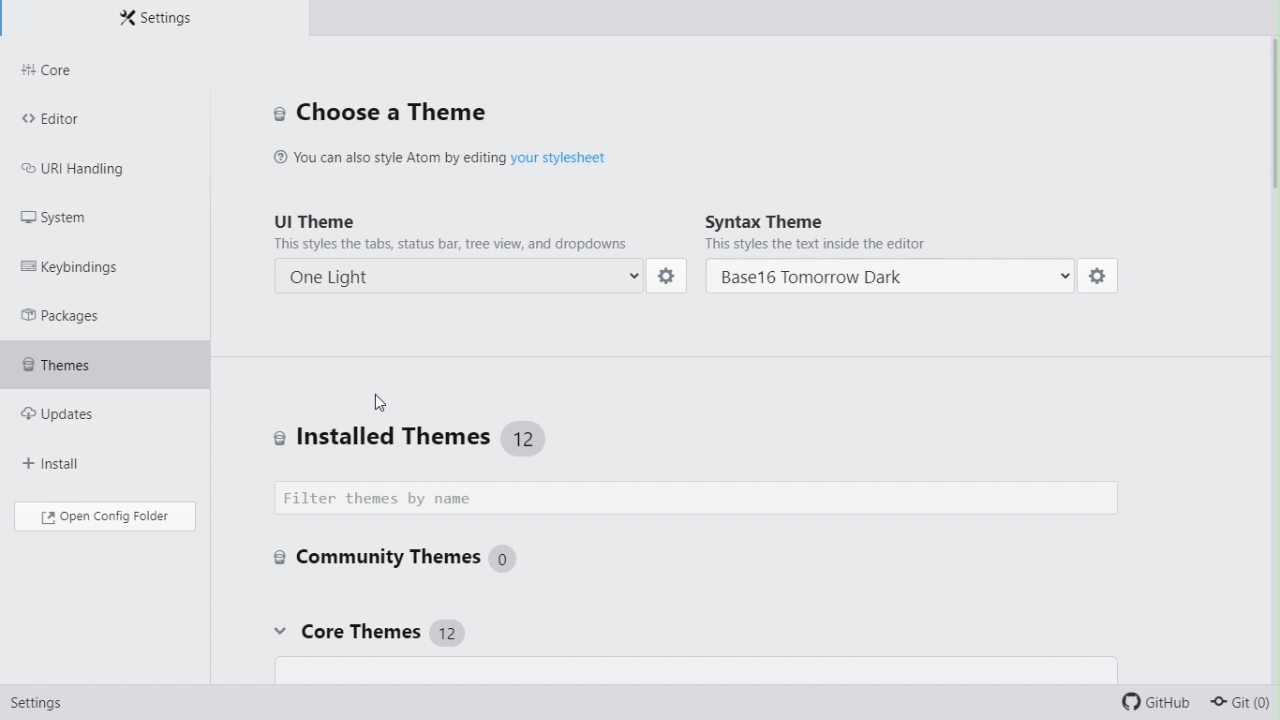 The width and height of the screenshot is (1280, 720). What do you see at coordinates (388, 156) in the screenshot?
I see `‘You can also style Atom by editing` at bounding box center [388, 156].